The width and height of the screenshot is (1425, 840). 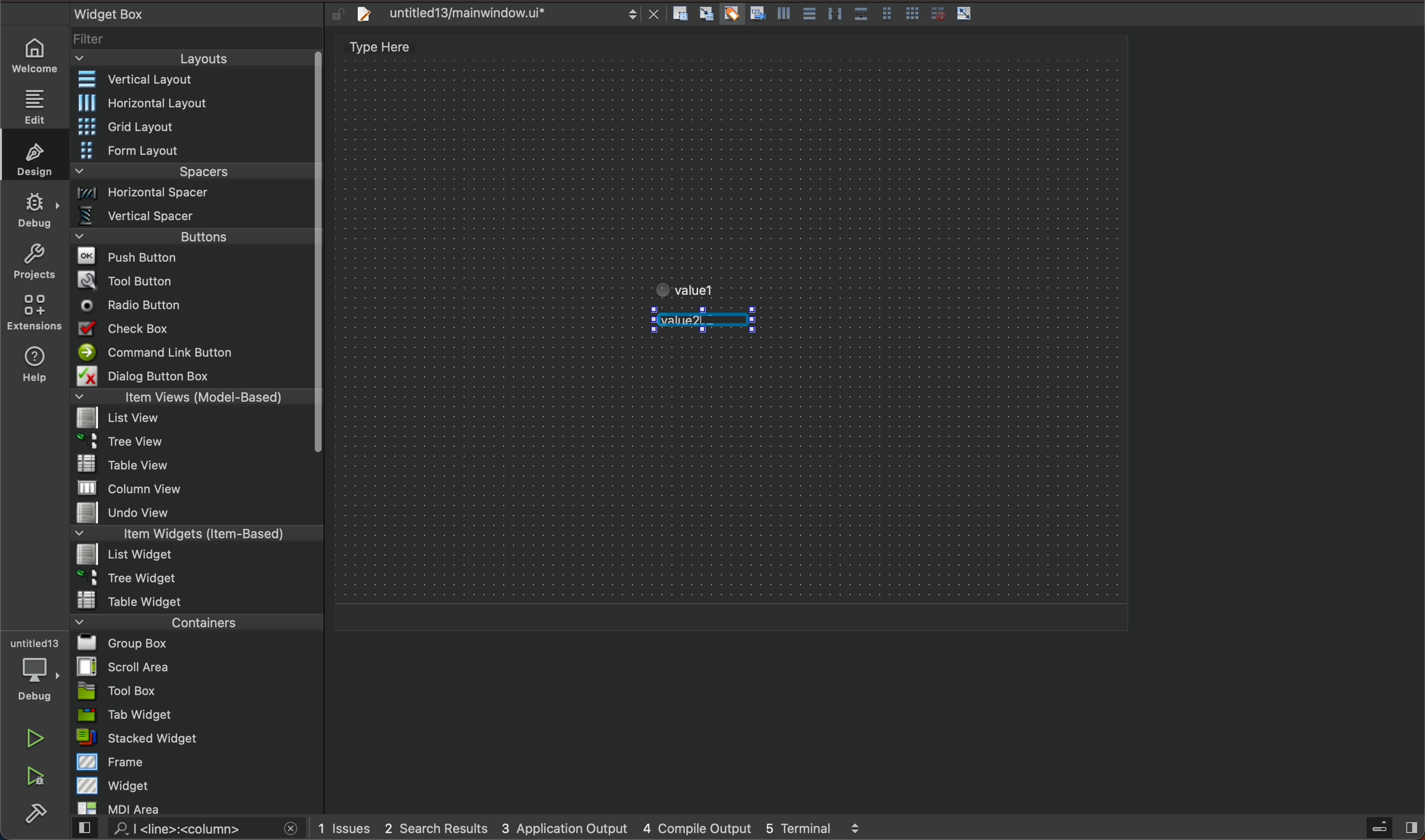 I want to click on list view, so click(x=190, y=422).